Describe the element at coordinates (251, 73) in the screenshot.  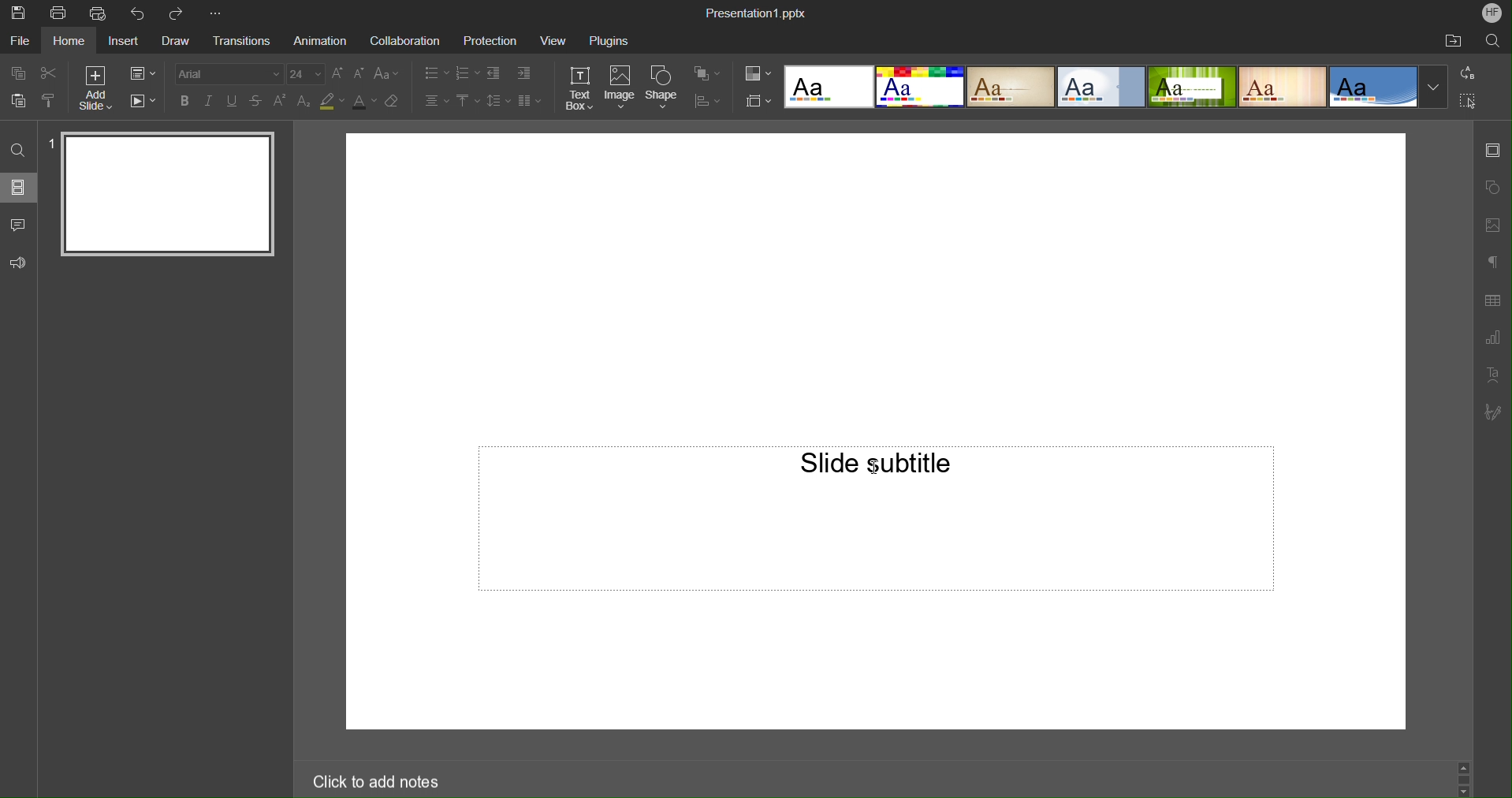
I see `Font settings` at that location.